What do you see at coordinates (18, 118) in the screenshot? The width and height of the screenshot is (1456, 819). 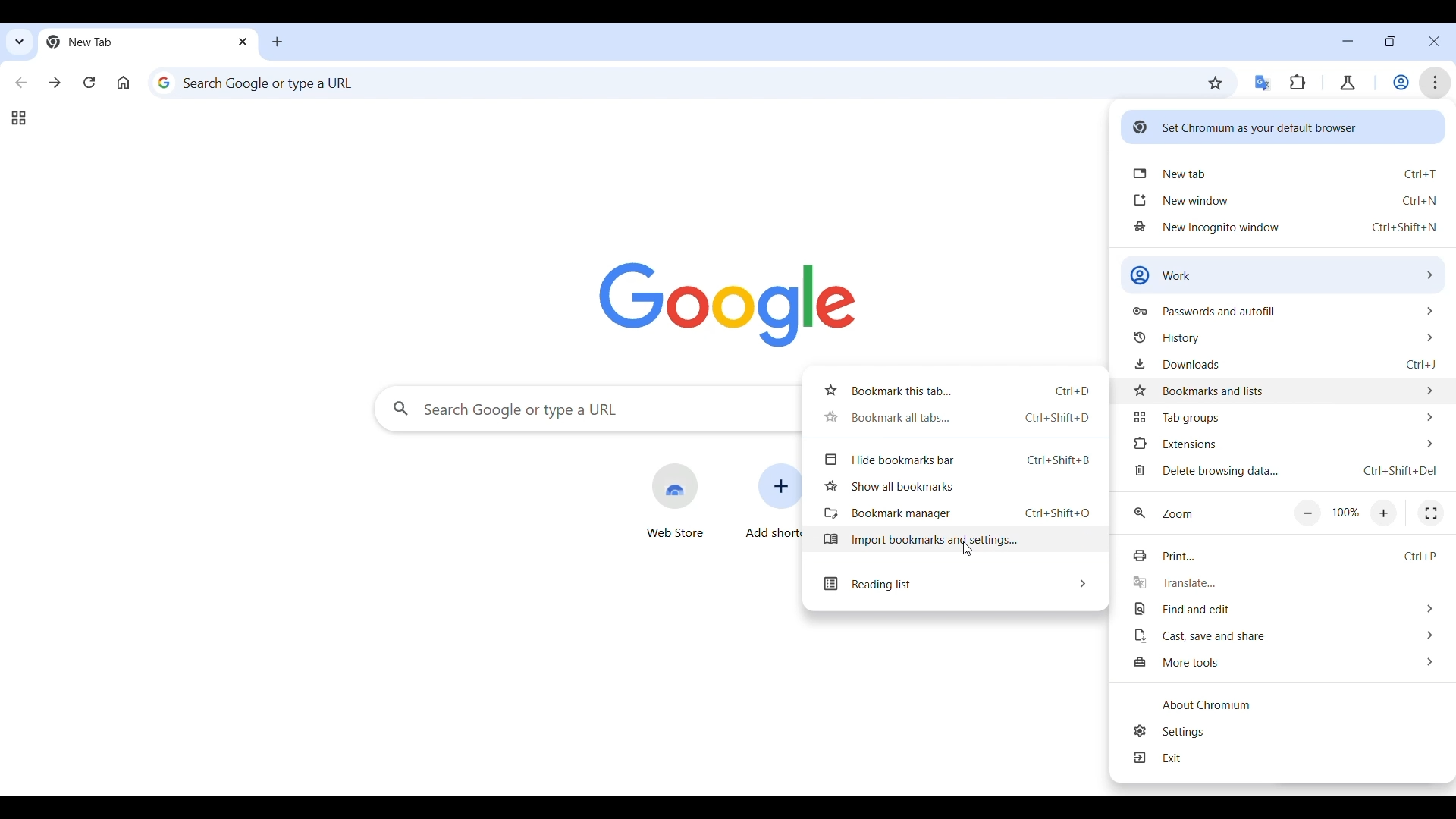 I see `Tab groups` at bounding box center [18, 118].